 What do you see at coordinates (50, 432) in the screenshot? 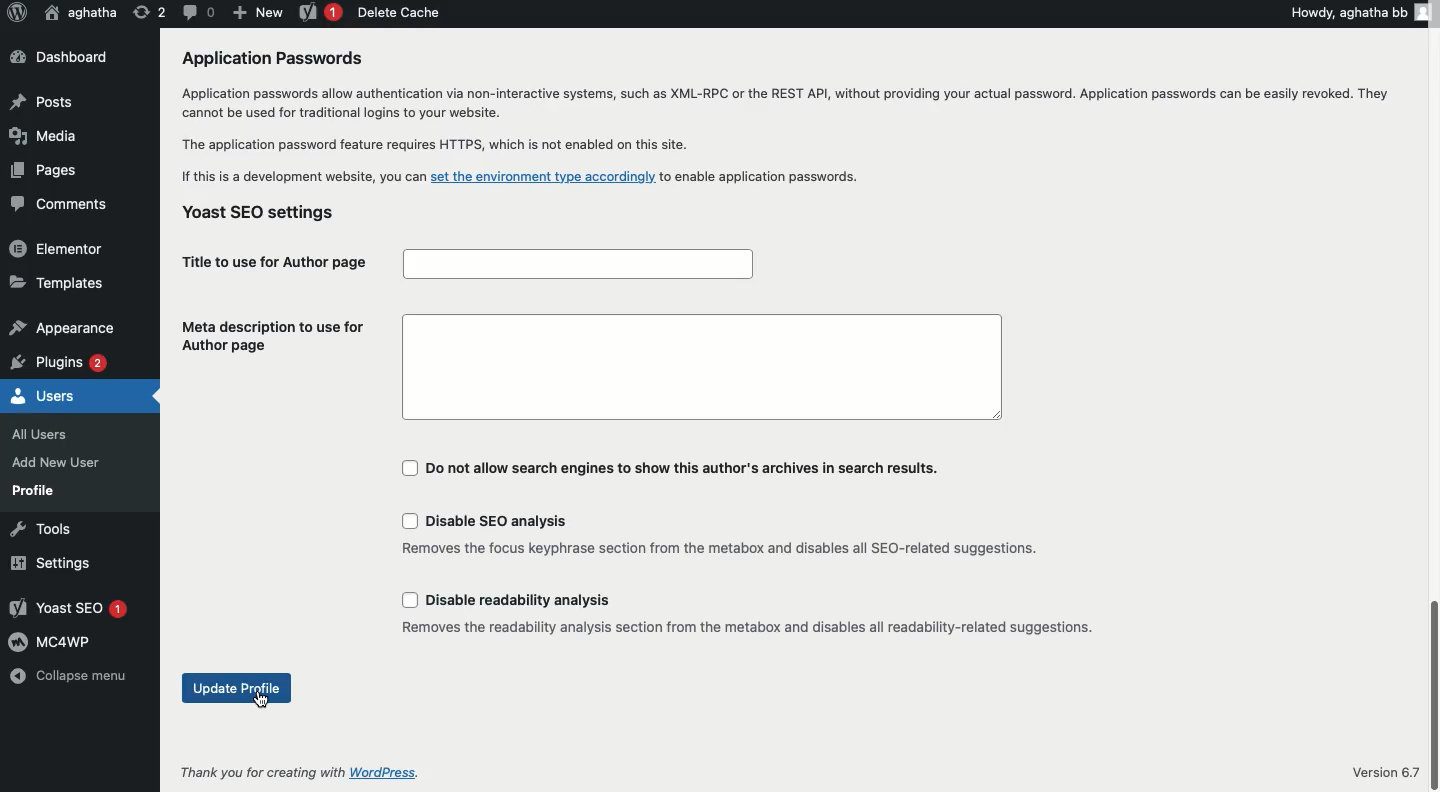
I see `All Users` at bounding box center [50, 432].